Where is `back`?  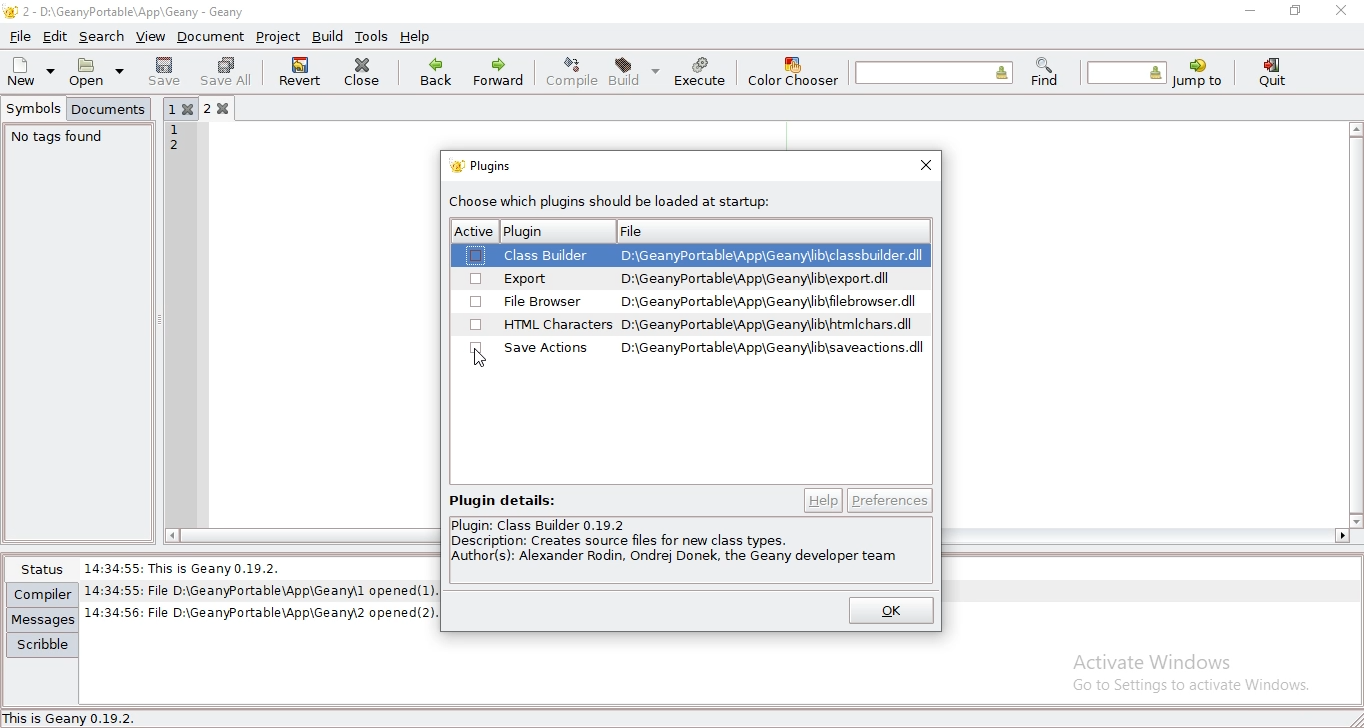
back is located at coordinates (436, 72).